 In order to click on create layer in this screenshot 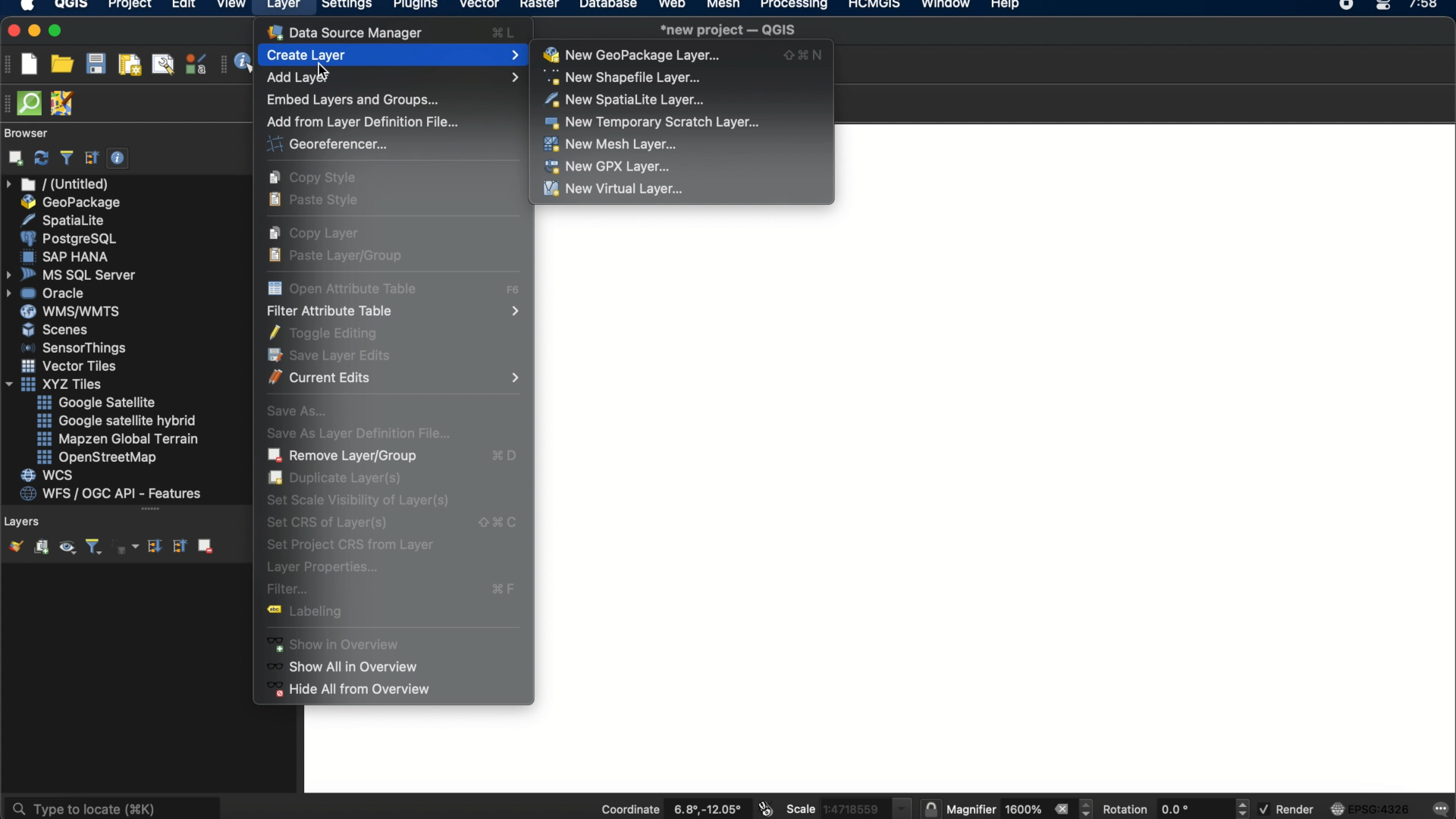, I will do `click(394, 55)`.